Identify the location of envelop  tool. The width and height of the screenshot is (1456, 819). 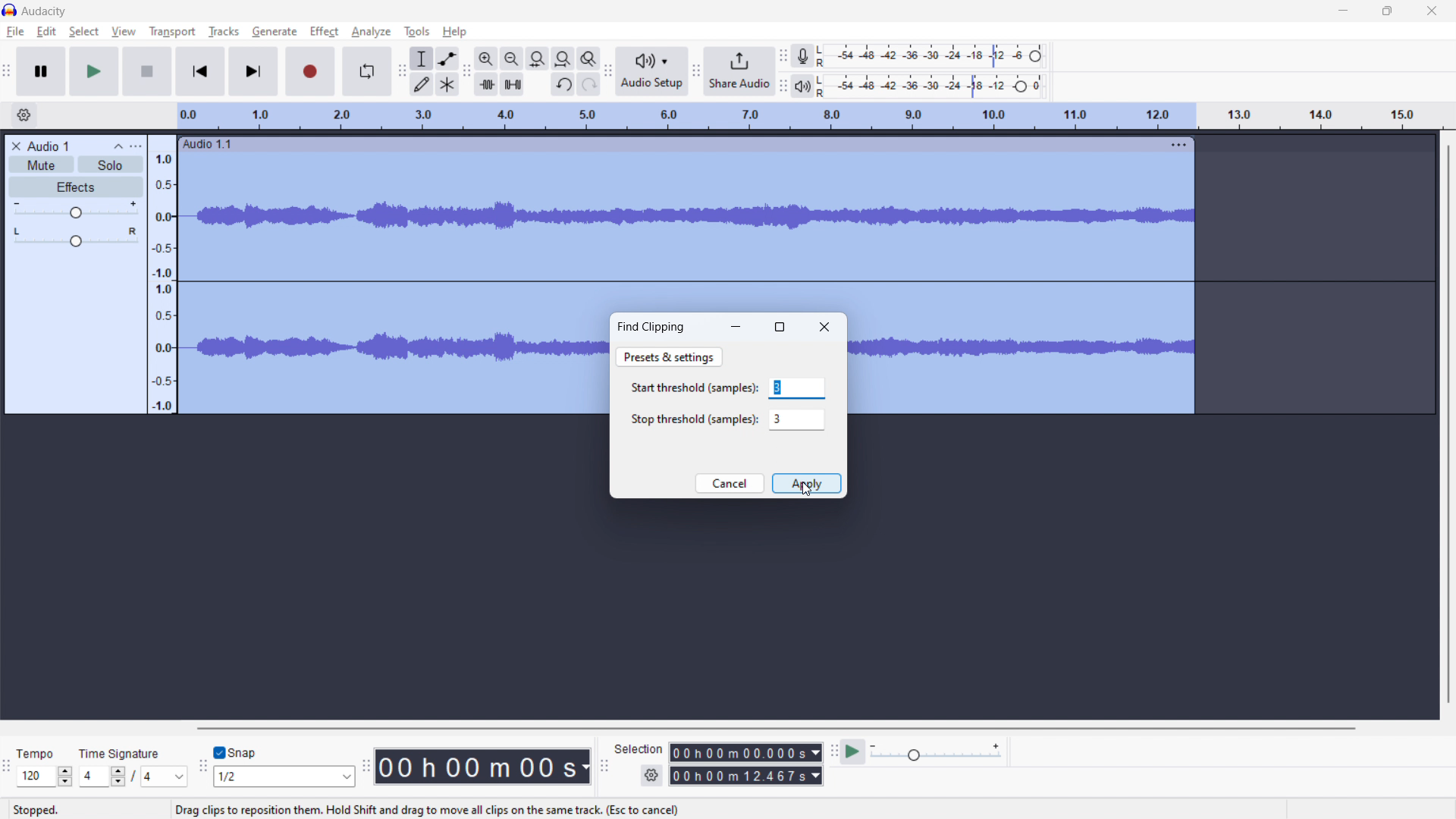
(447, 58).